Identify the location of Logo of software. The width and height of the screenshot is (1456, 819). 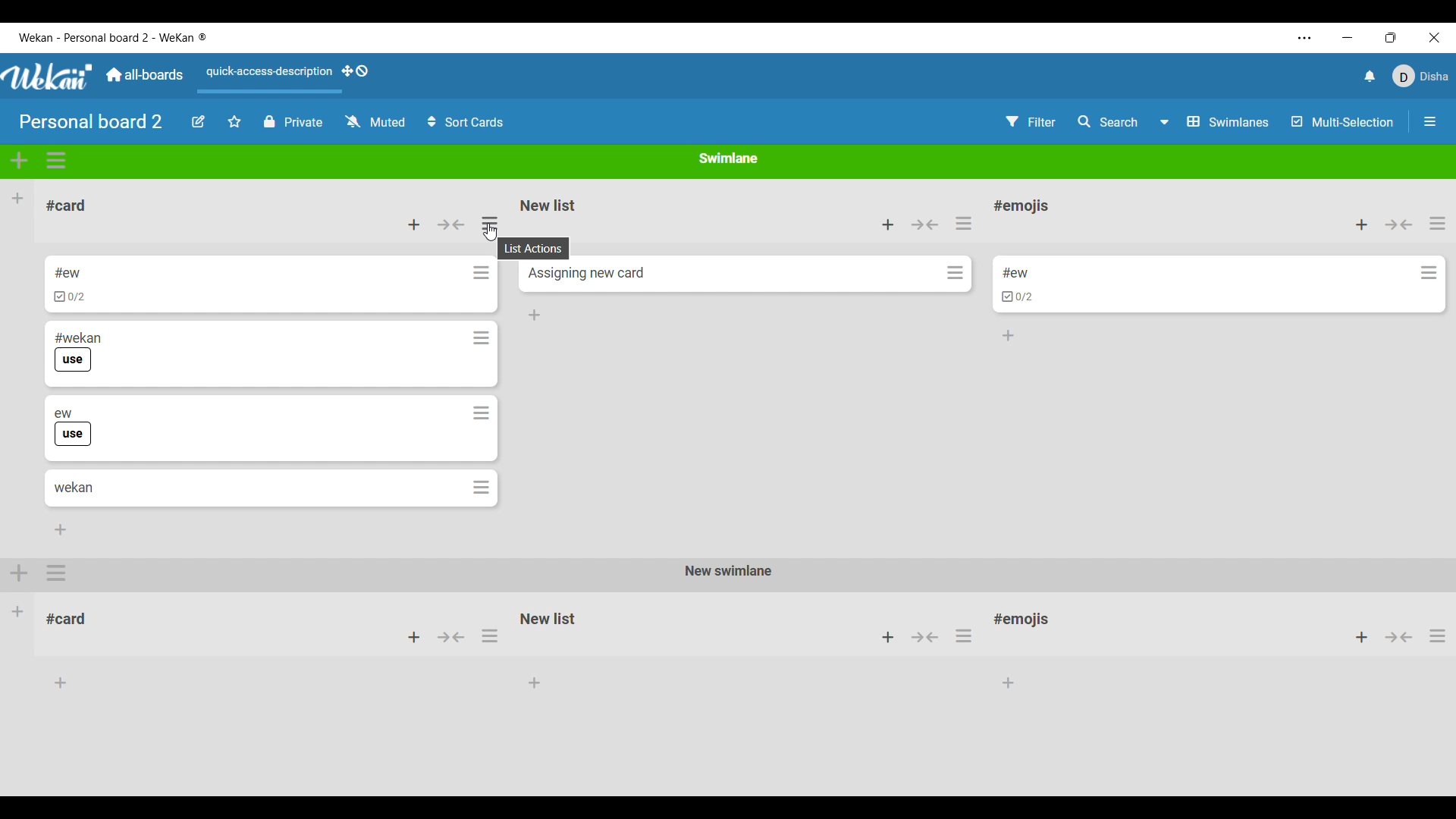
(48, 77).